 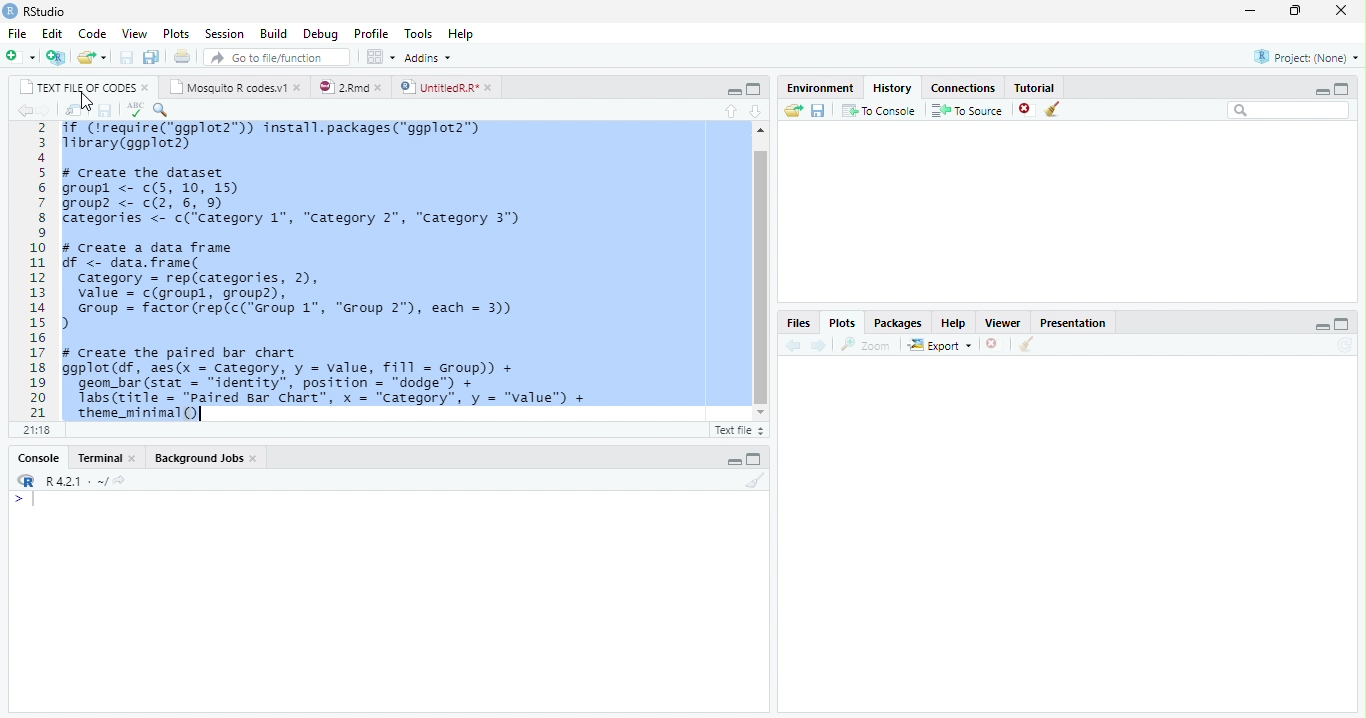 I want to click on go forward, so click(x=42, y=111).